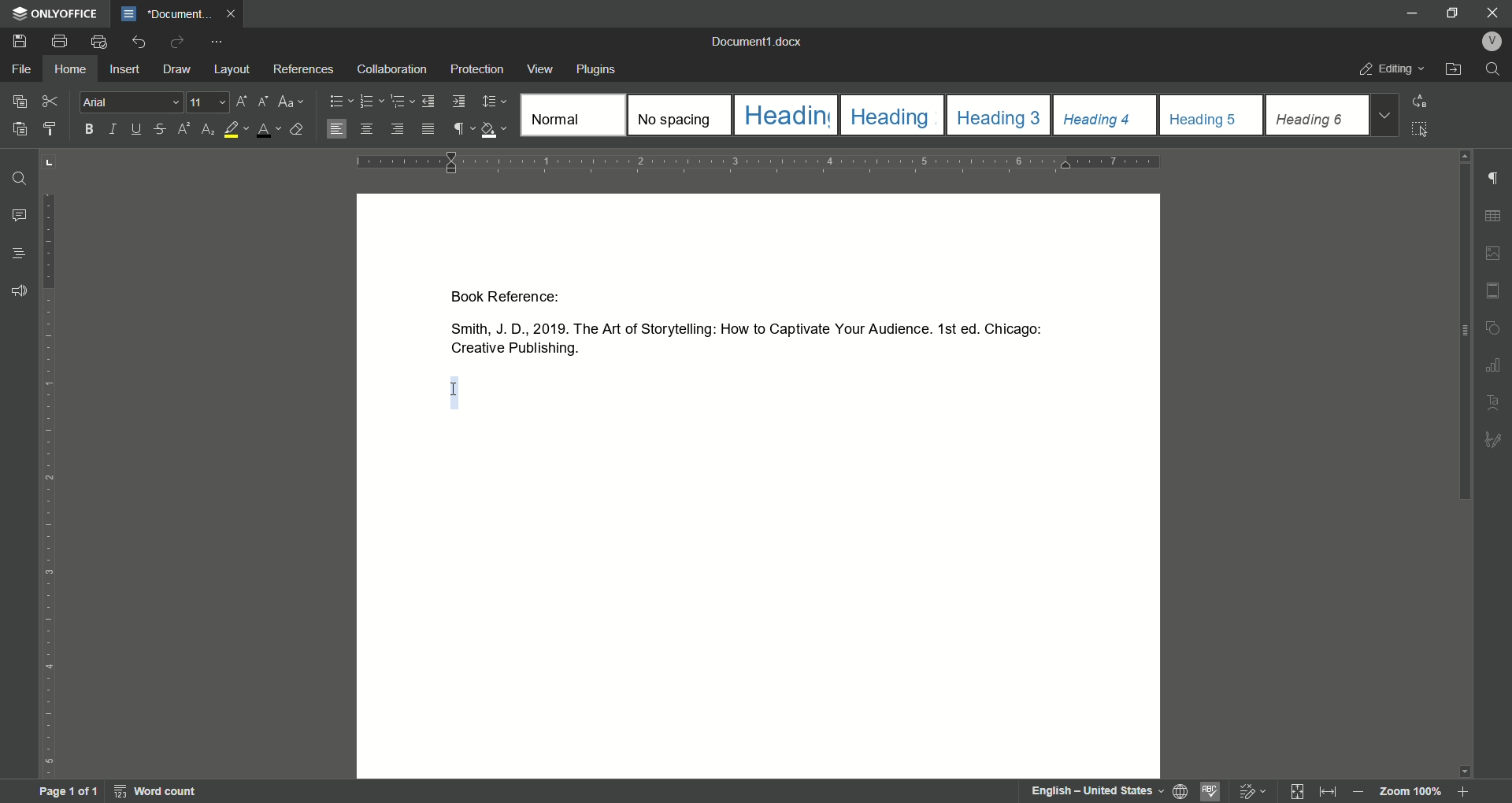  Describe the element at coordinates (679, 115) in the screenshot. I see `headings` at that location.